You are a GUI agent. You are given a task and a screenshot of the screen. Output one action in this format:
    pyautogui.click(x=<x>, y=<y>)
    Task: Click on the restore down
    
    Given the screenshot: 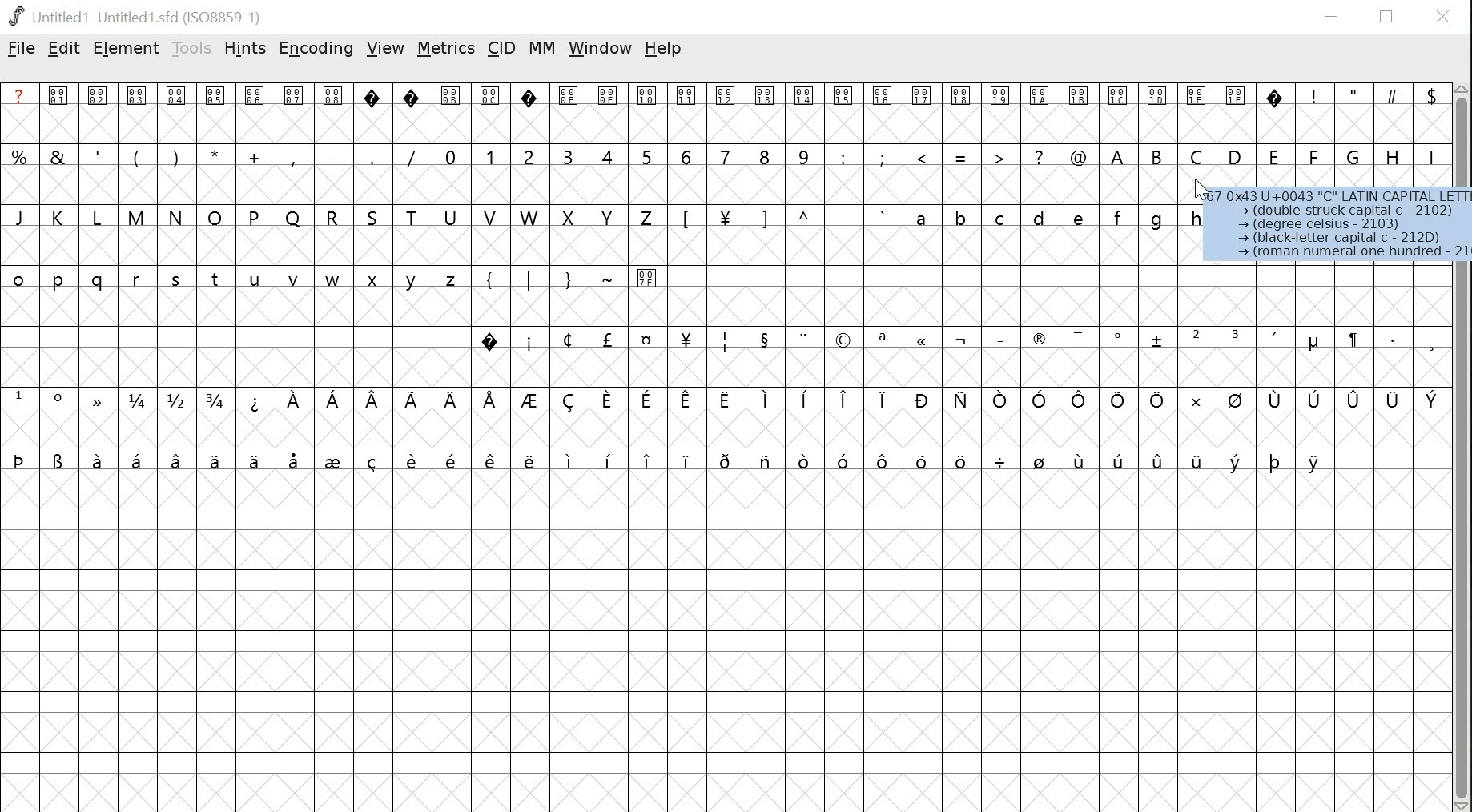 What is the action you would take?
    pyautogui.click(x=1388, y=16)
    